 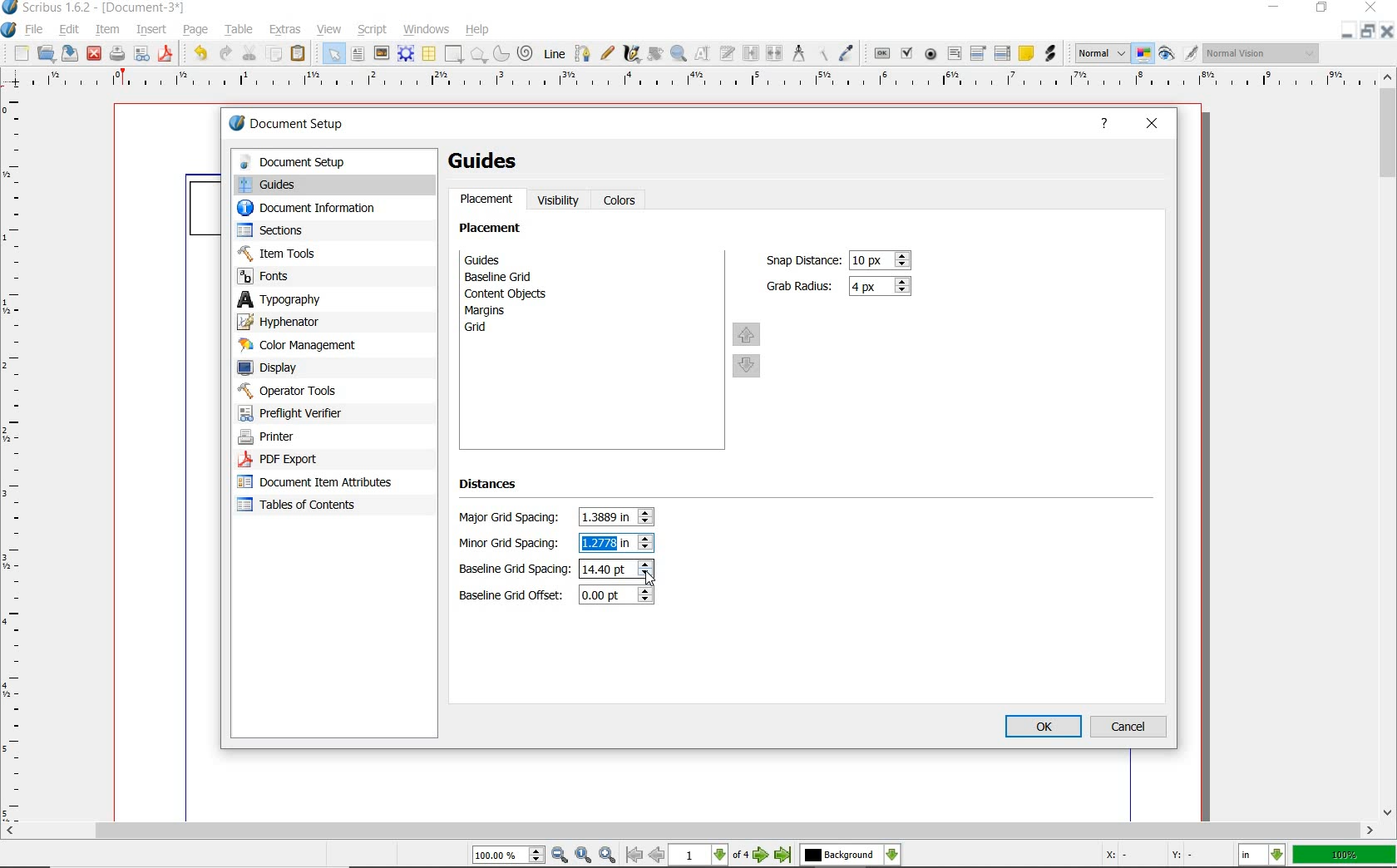 I want to click on new, so click(x=19, y=53).